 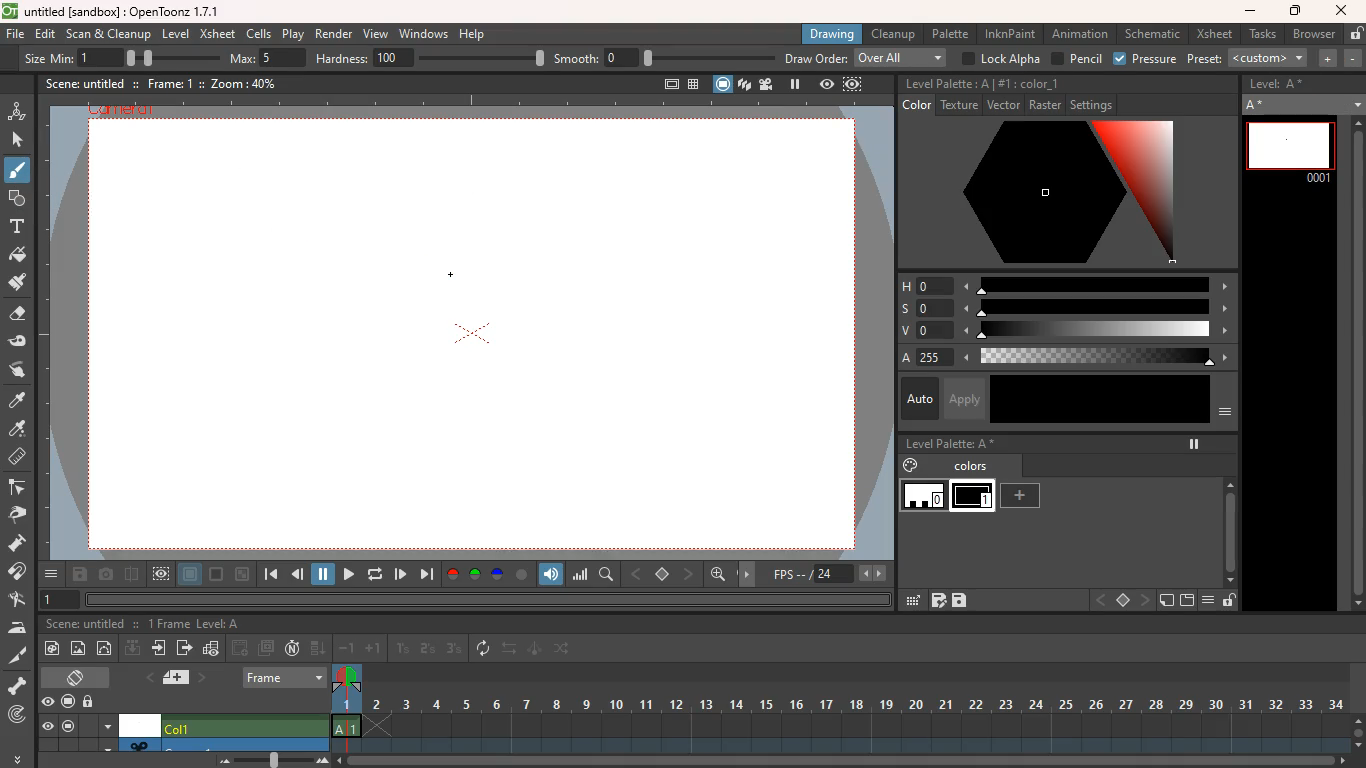 I want to click on drawing, so click(x=834, y=33).